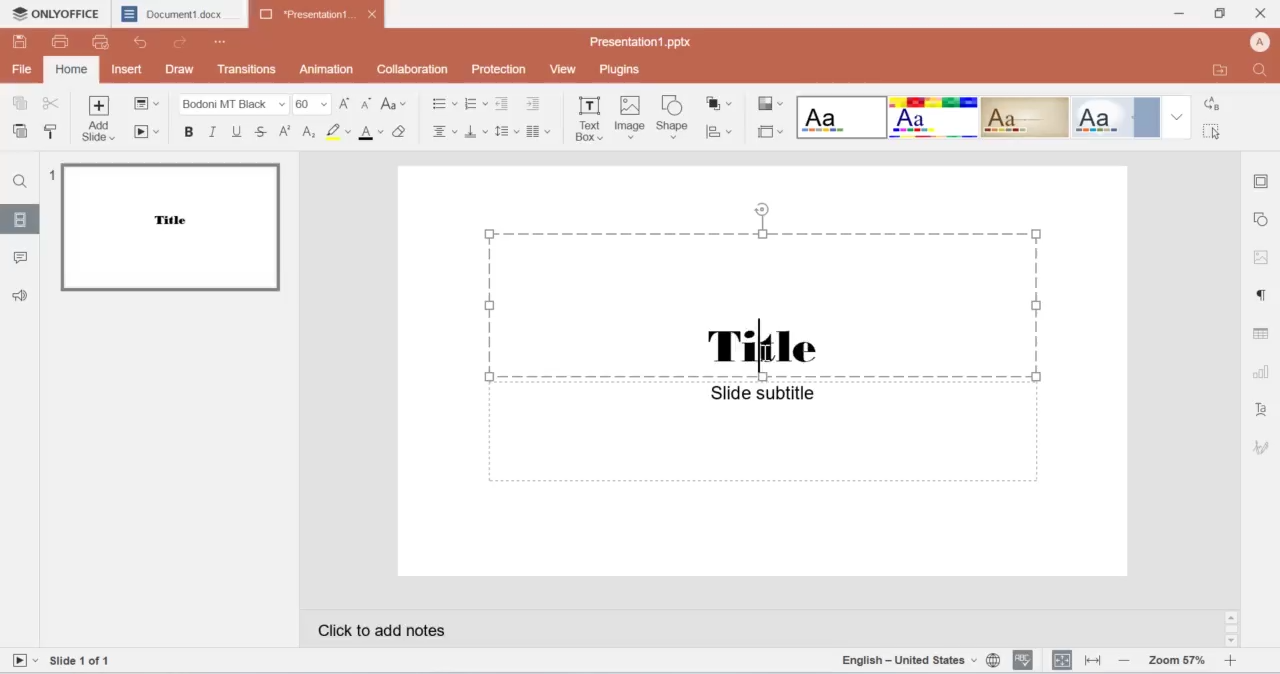 Image resolution: width=1280 pixels, height=674 pixels. Describe the element at coordinates (347, 106) in the screenshot. I see `increase font size` at that location.